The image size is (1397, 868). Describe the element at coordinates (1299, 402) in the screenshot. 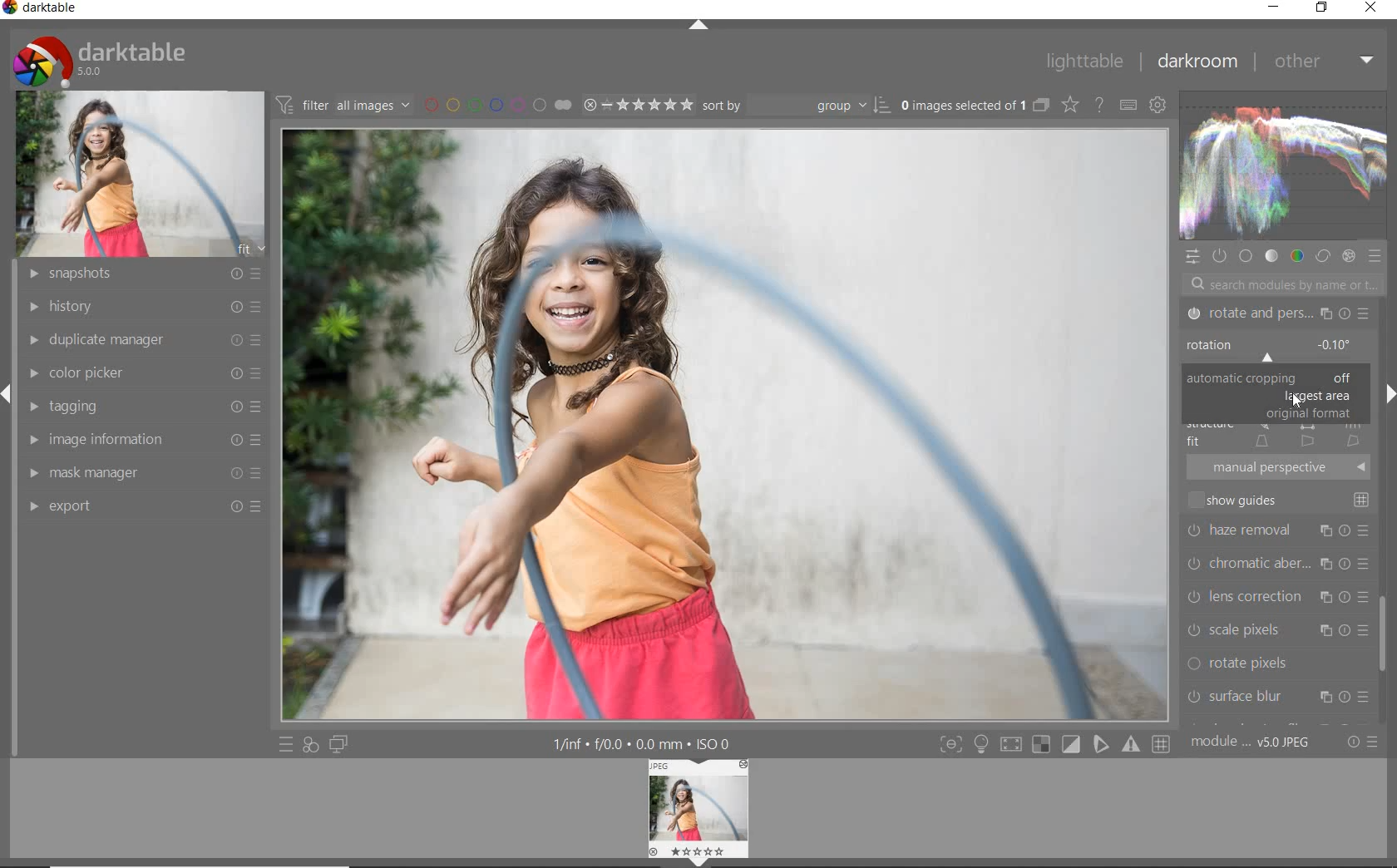

I see `CURSOR POSITION` at that location.